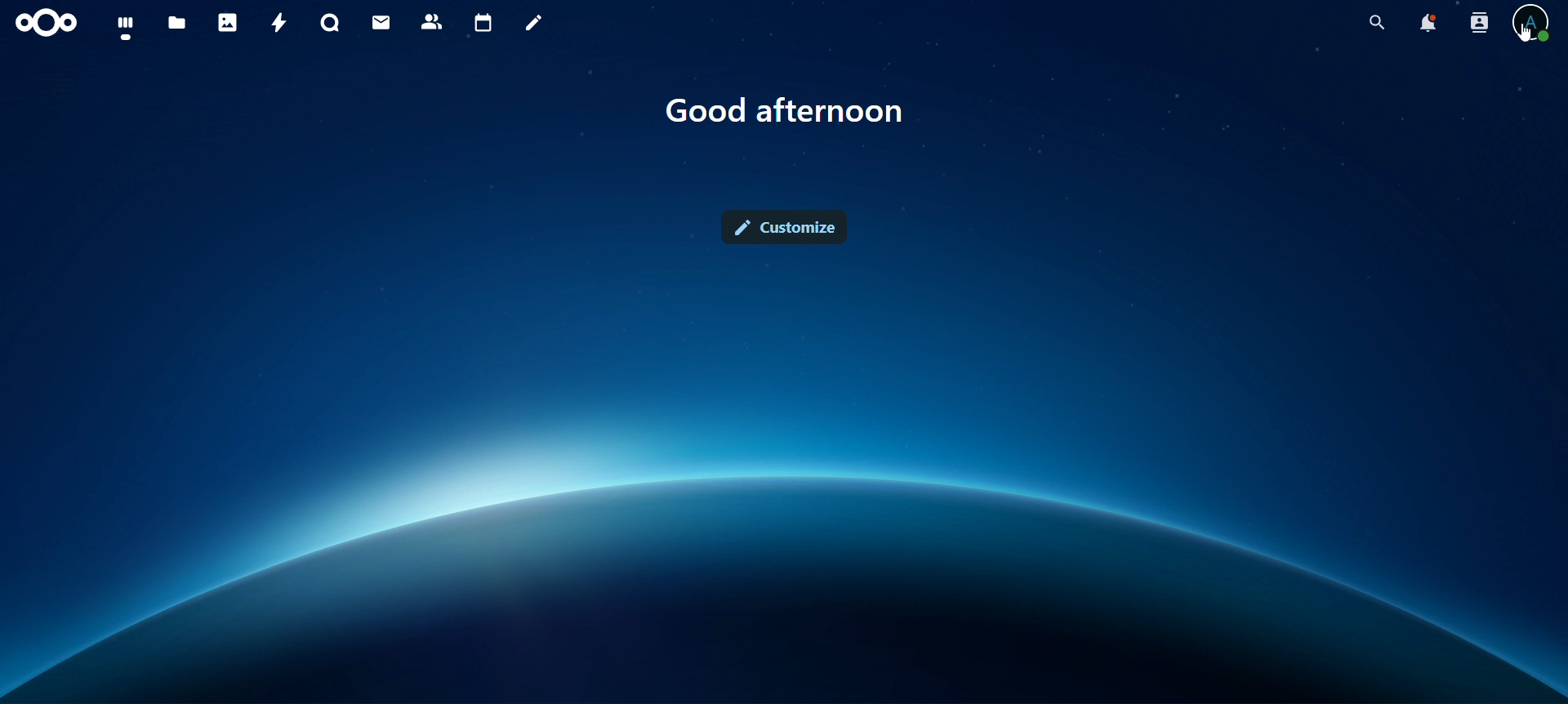 The image size is (1568, 704). What do you see at coordinates (1426, 23) in the screenshot?
I see `notifications` at bounding box center [1426, 23].